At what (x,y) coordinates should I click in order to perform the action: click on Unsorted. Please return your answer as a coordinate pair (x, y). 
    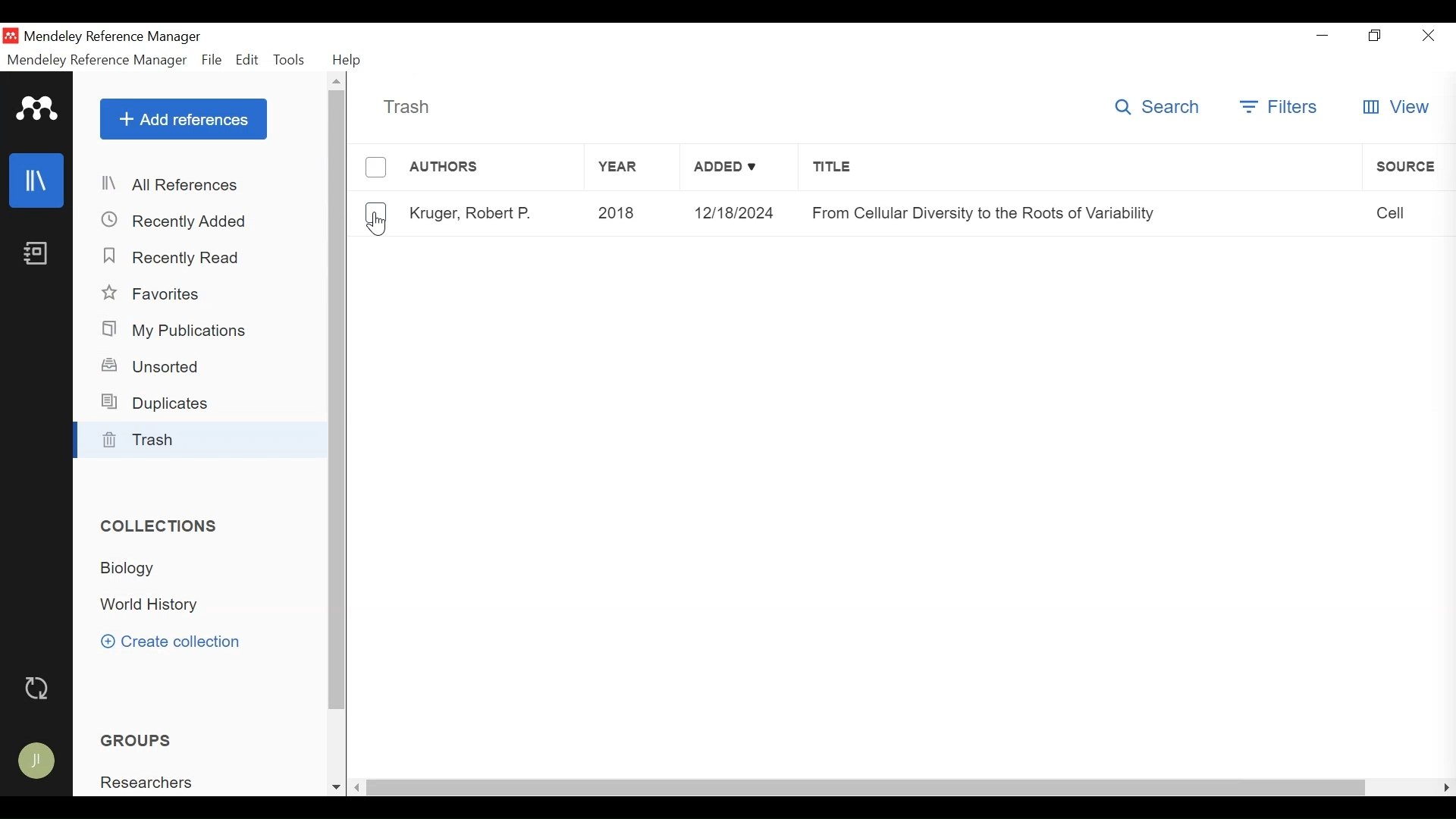
    Looking at the image, I should click on (157, 365).